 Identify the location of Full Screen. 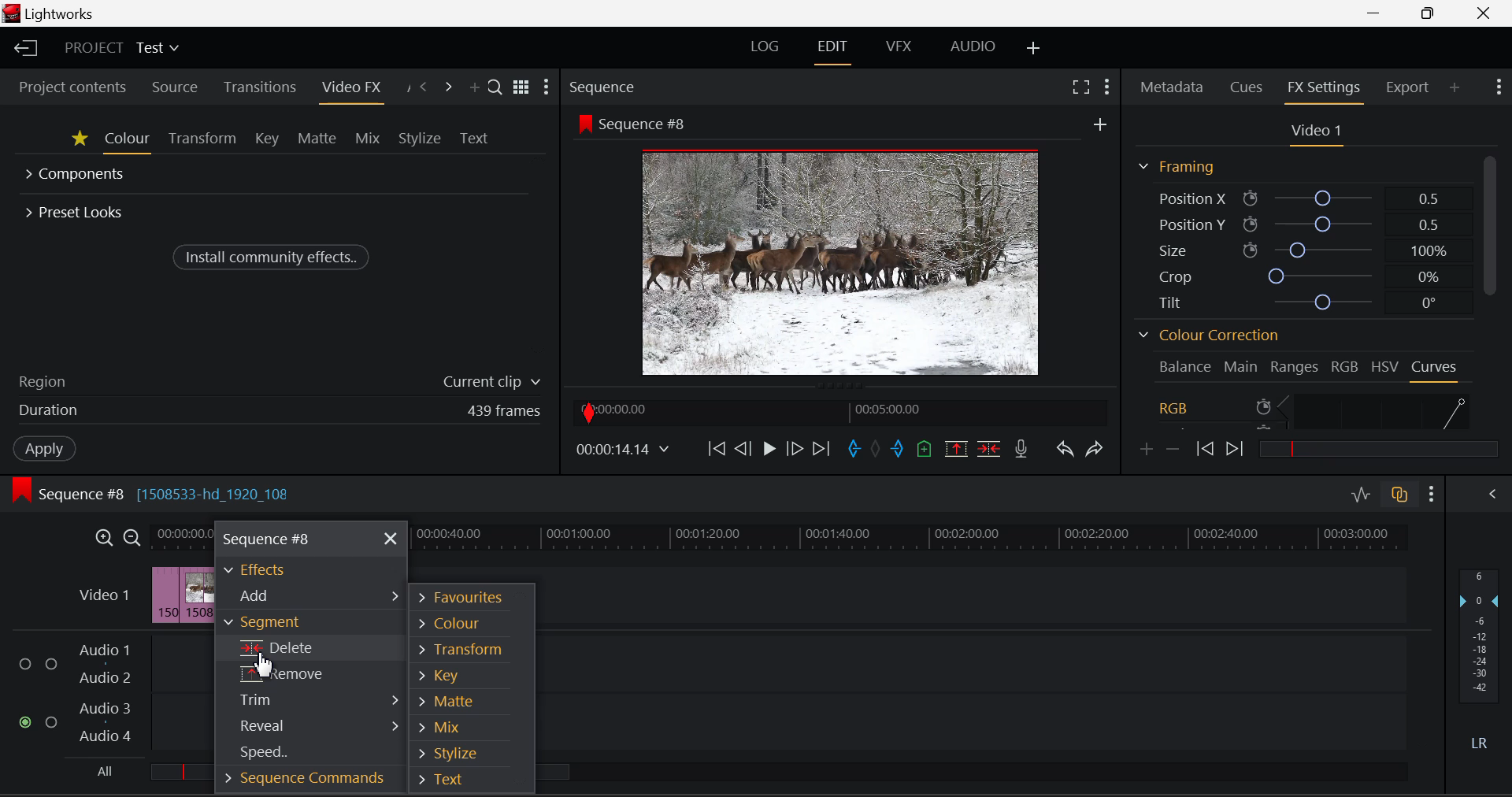
(1080, 89).